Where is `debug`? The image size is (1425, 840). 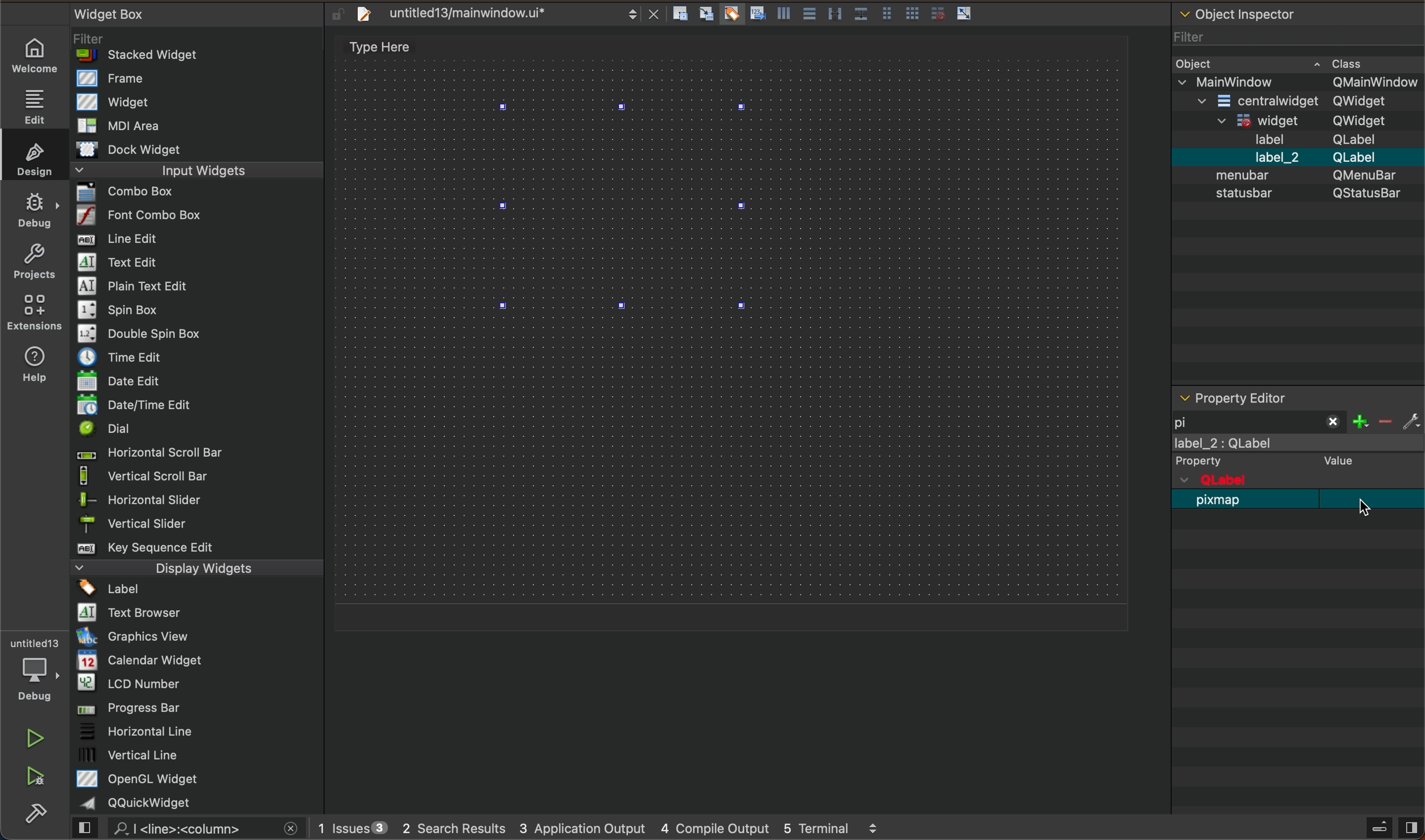
debug is located at coordinates (34, 206).